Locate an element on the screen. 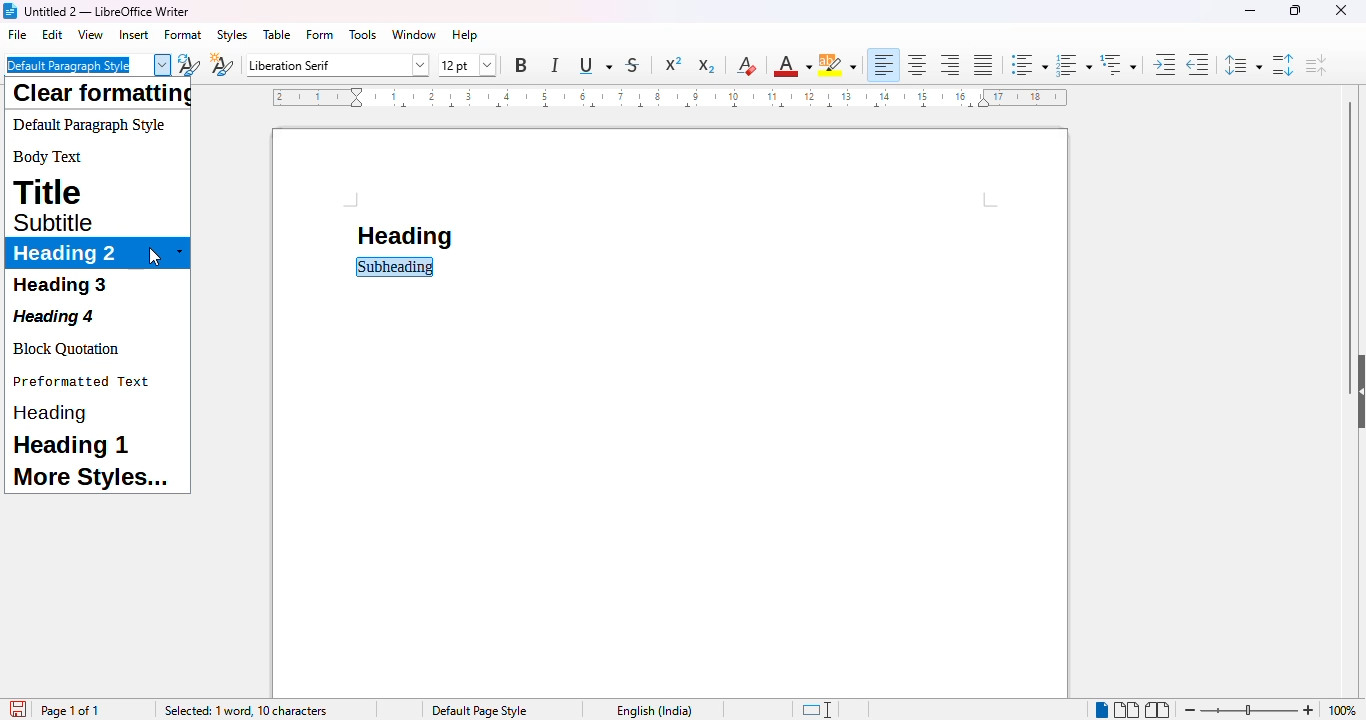  default paragraph style is located at coordinates (89, 64).